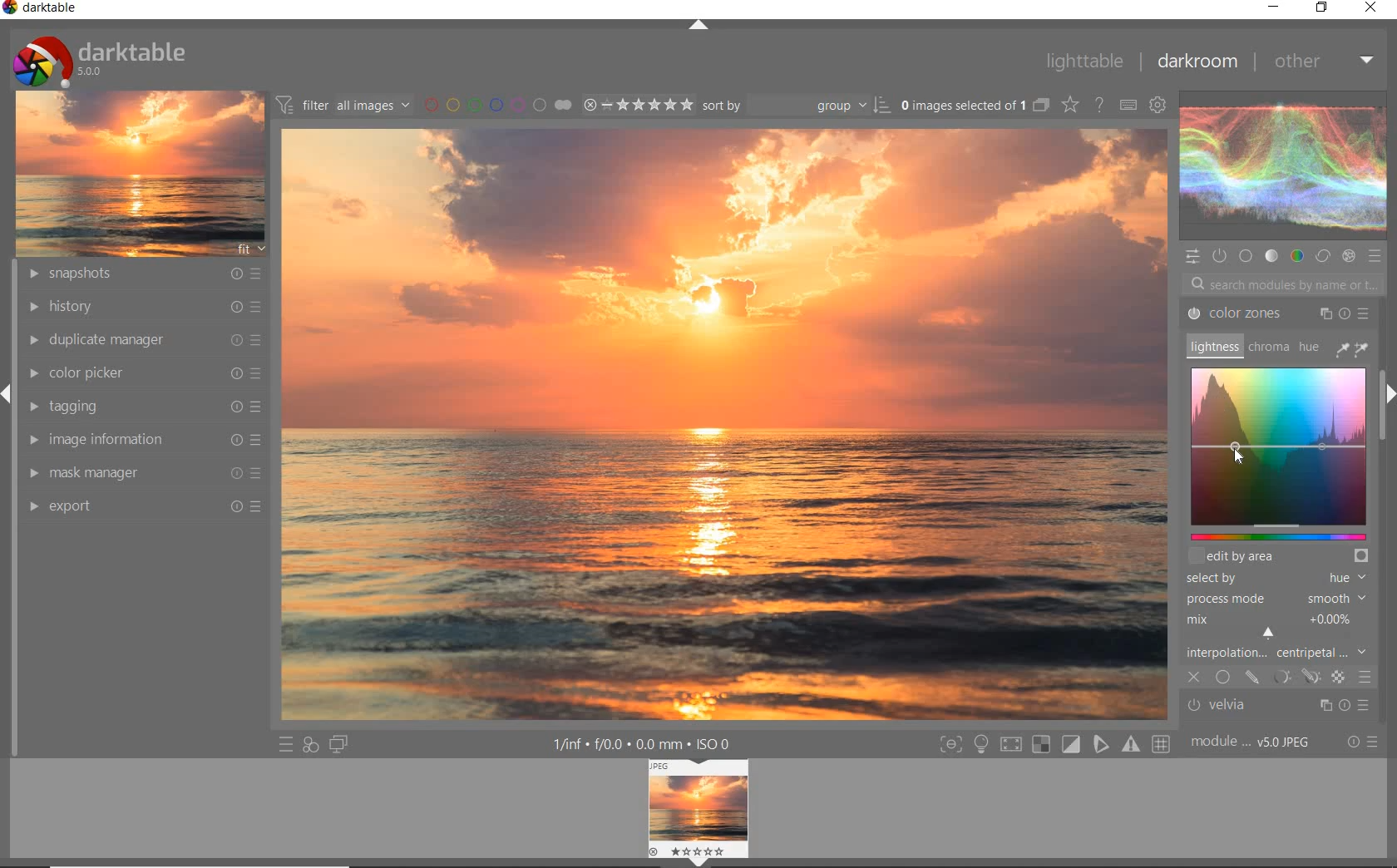  Describe the element at coordinates (1387, 396) in the screenshot. I see `EXPAND/COLLAPSE` at that location.